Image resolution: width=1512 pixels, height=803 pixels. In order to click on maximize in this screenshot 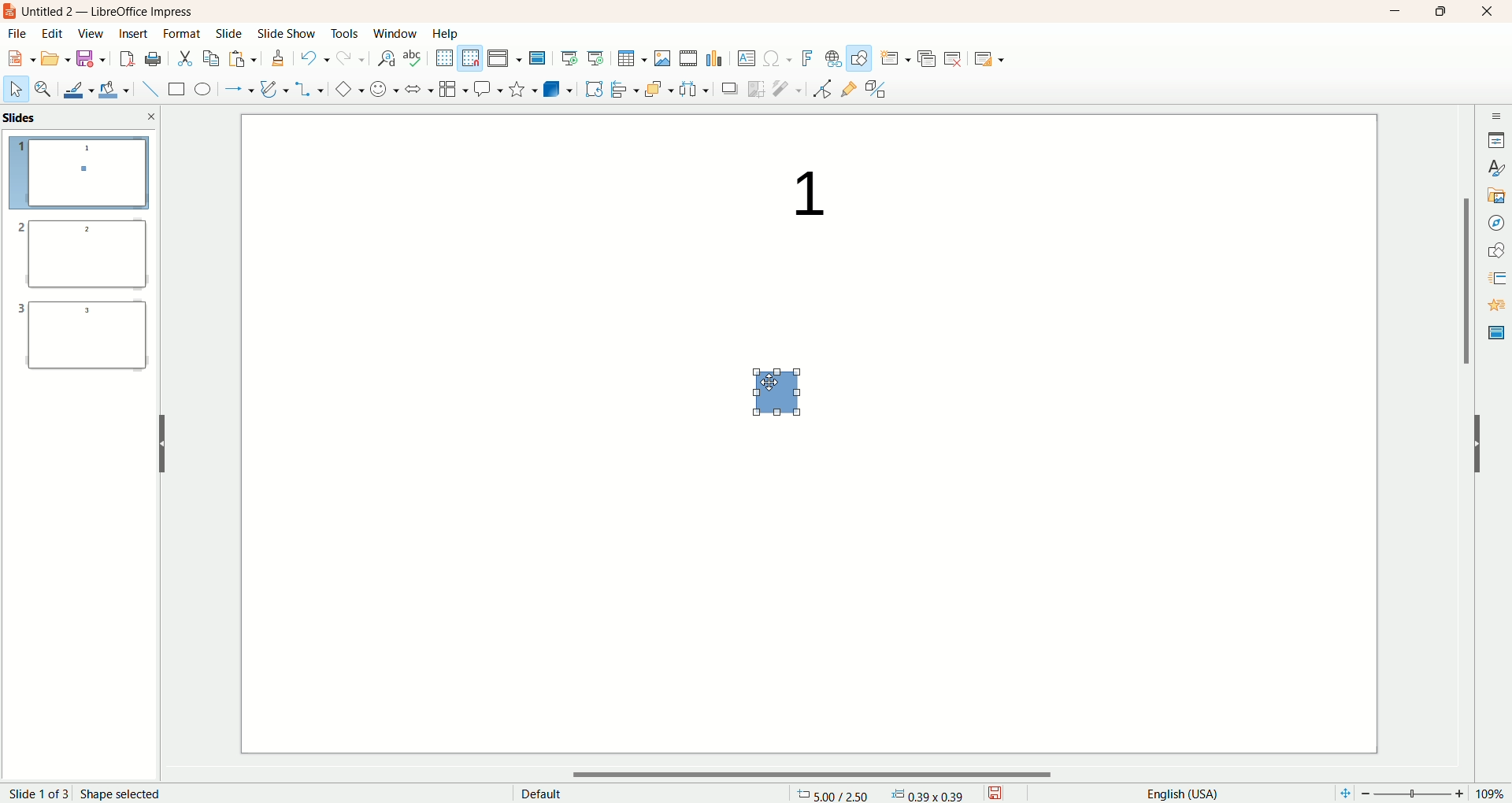, I will do `click(1440, 13)`.